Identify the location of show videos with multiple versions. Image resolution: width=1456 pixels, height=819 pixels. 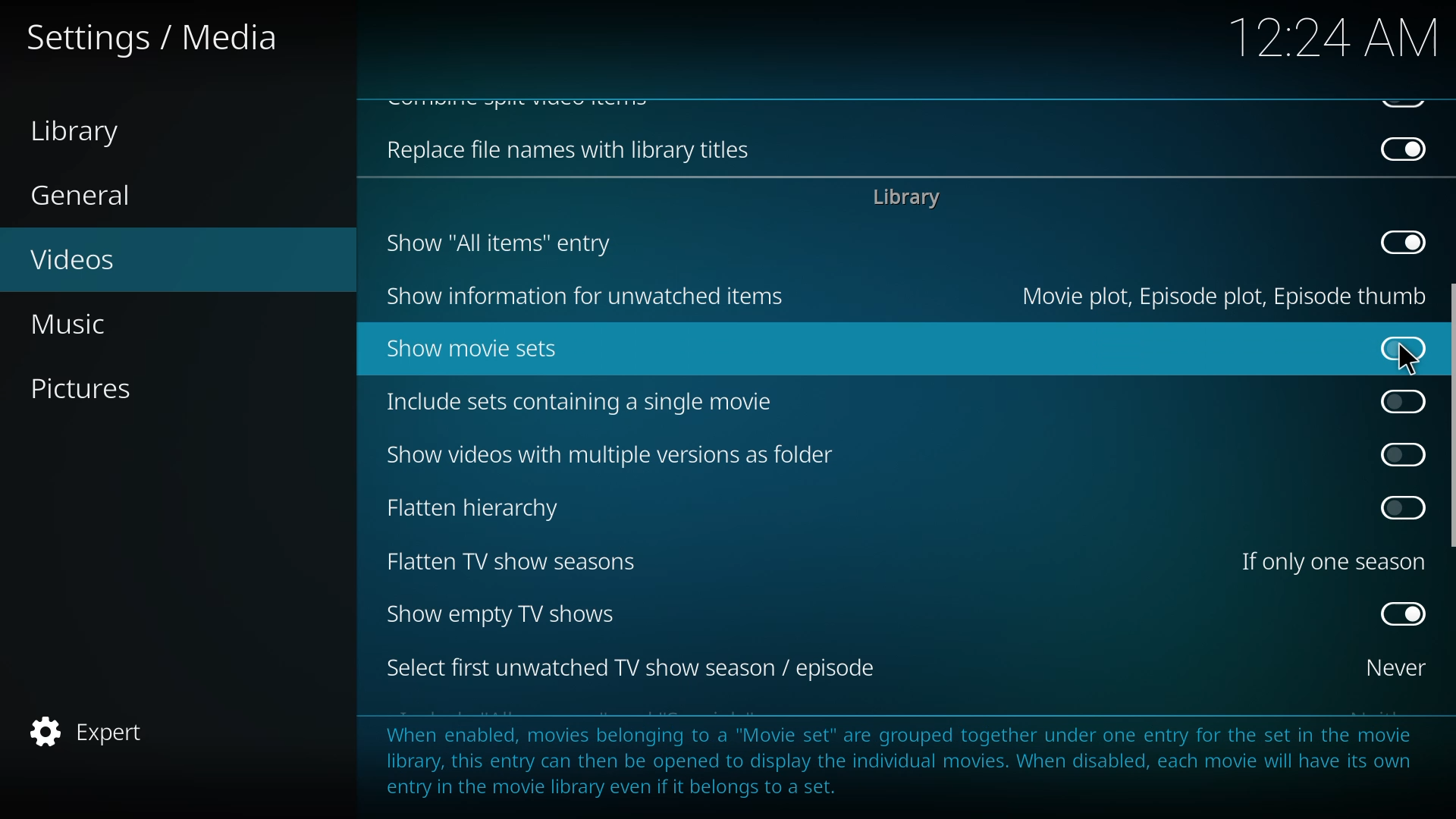
(608, 454).